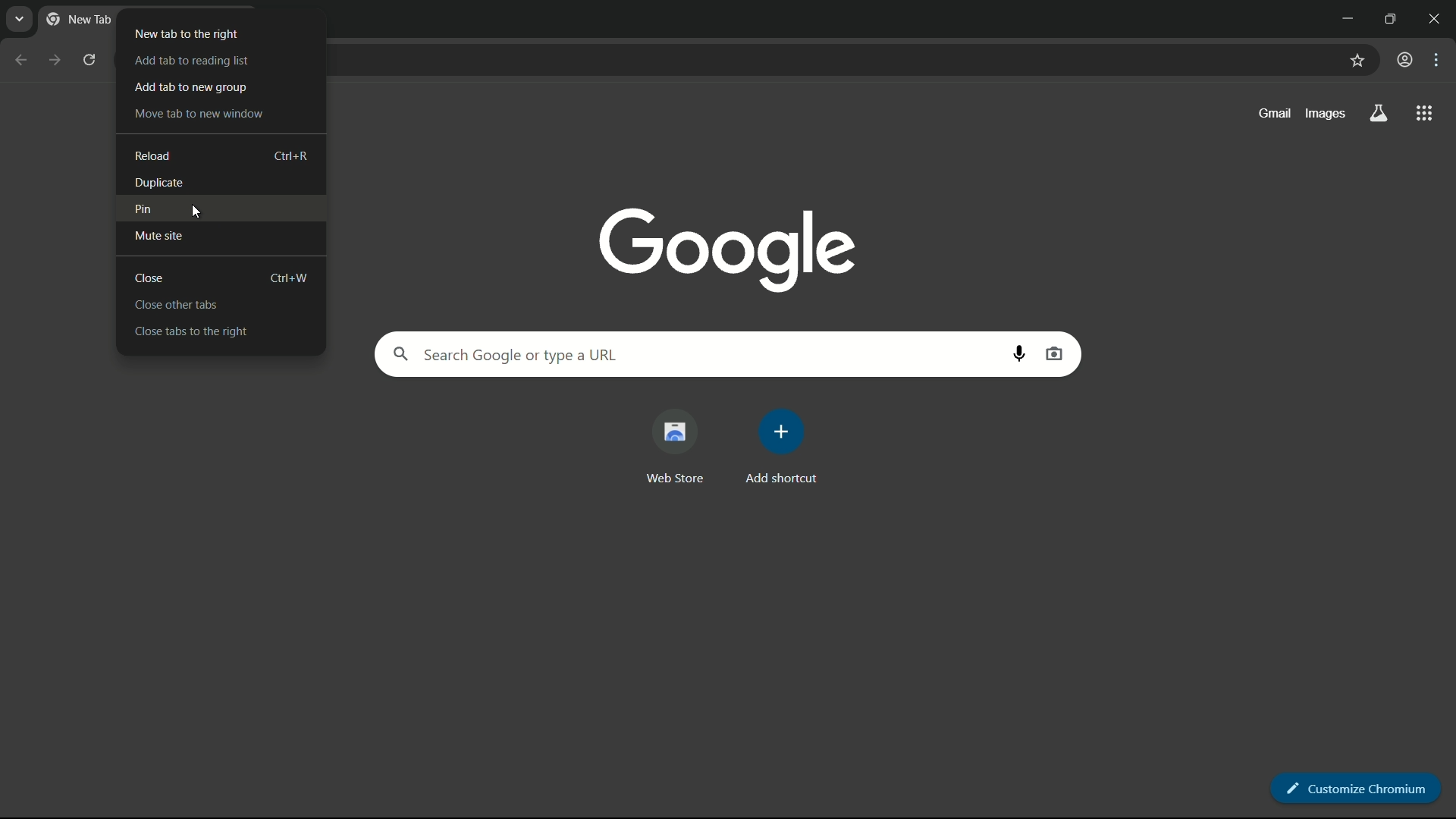 The width and height of the screenshot is (1456, 819). I want to click on google apps, so click(1425, 113).